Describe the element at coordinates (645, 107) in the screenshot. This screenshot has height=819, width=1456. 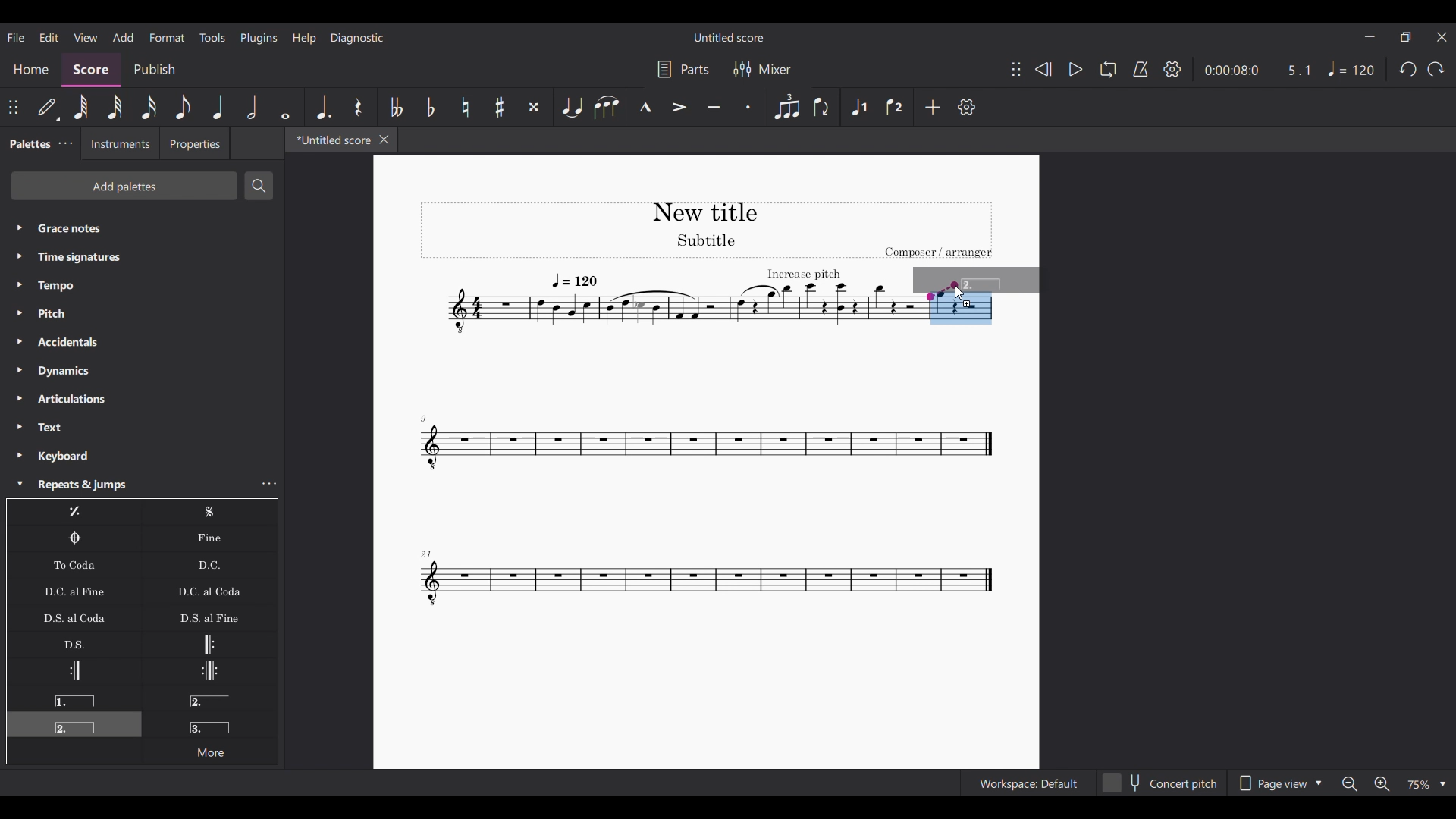
I see `Marcato` at that location.